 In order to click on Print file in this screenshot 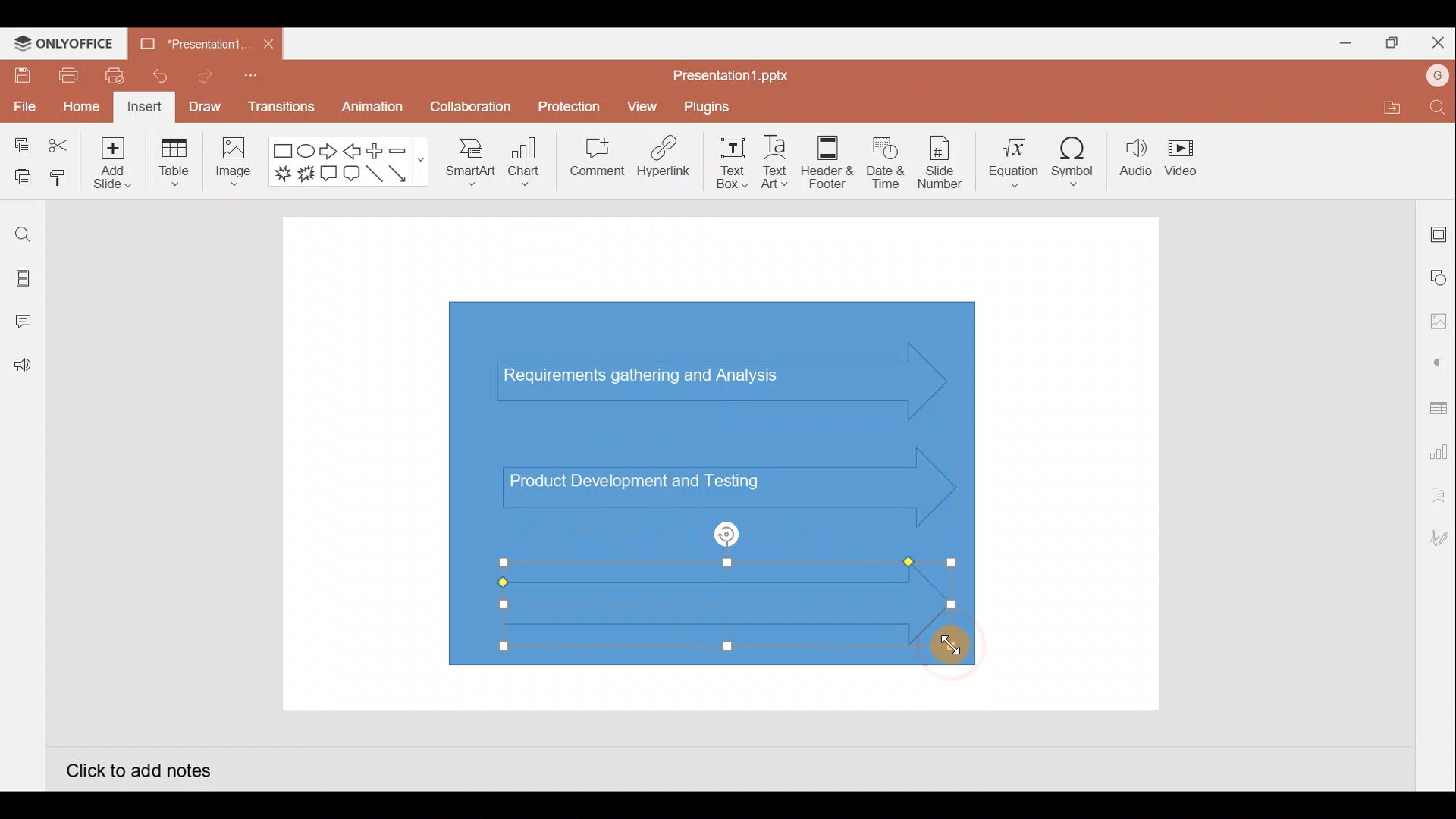, I will do `click(67, 74)`.